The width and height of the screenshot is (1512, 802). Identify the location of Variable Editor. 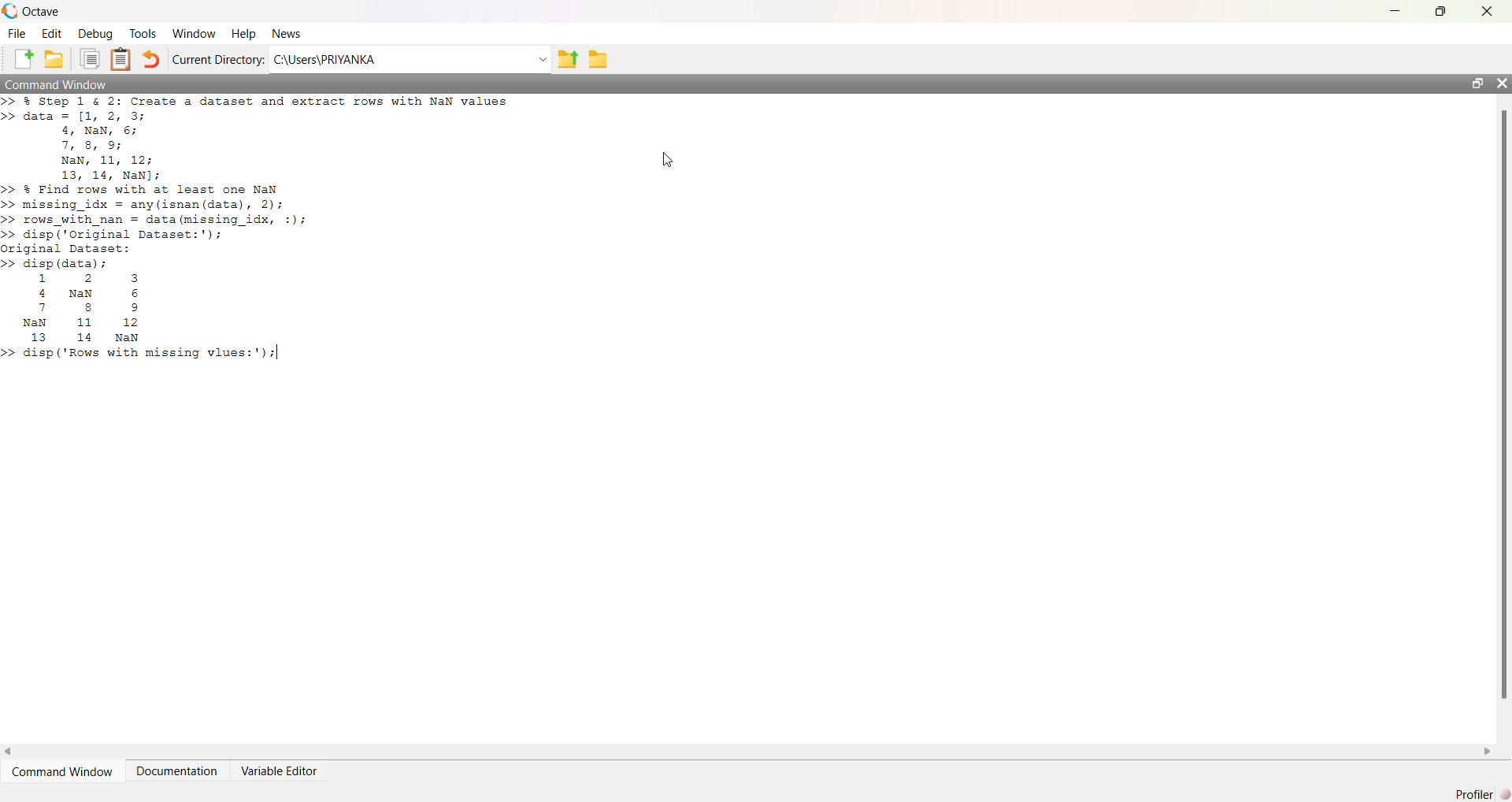
(278, 771).